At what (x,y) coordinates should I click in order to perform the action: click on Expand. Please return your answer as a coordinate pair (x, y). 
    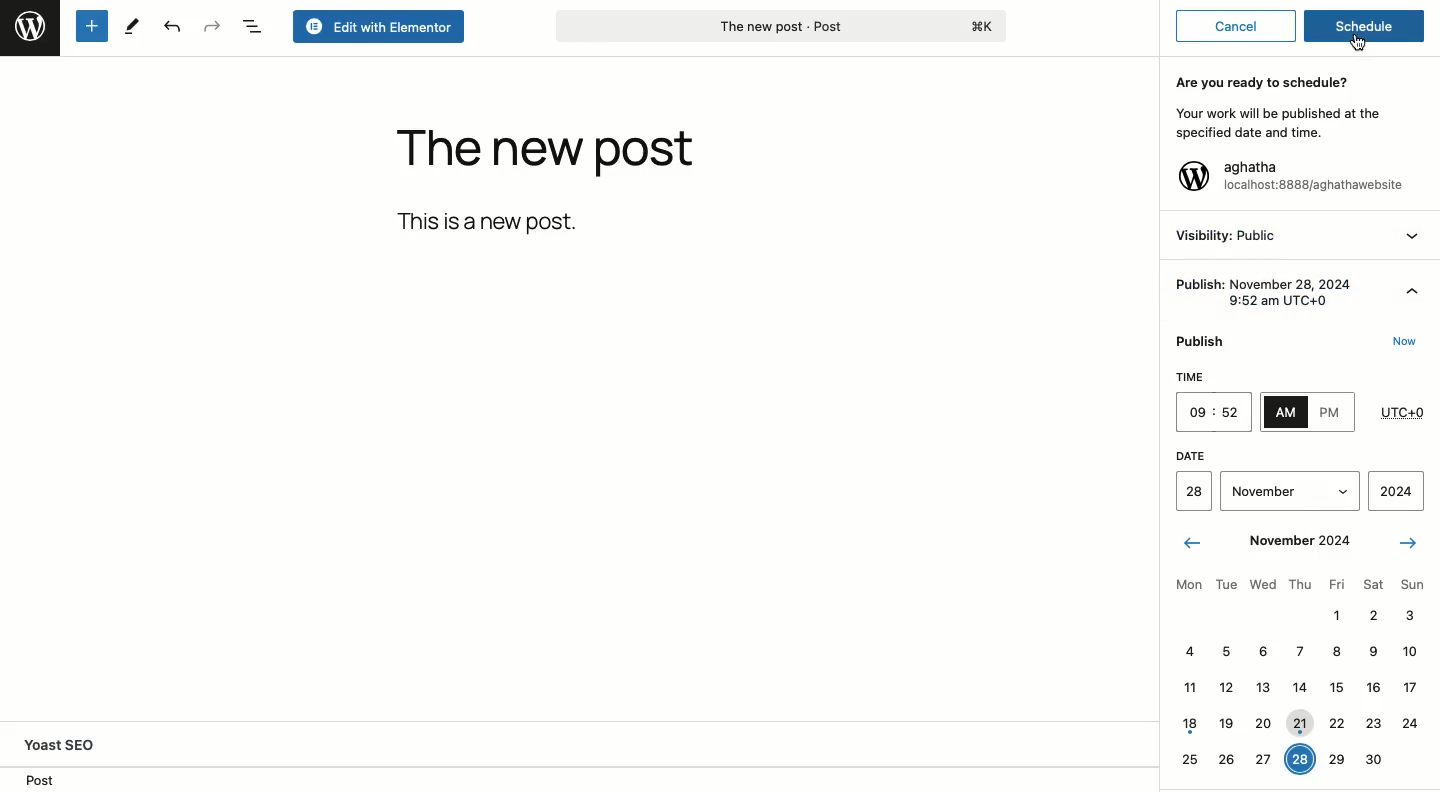
    Looking at the image, I should click on (1412, 286).